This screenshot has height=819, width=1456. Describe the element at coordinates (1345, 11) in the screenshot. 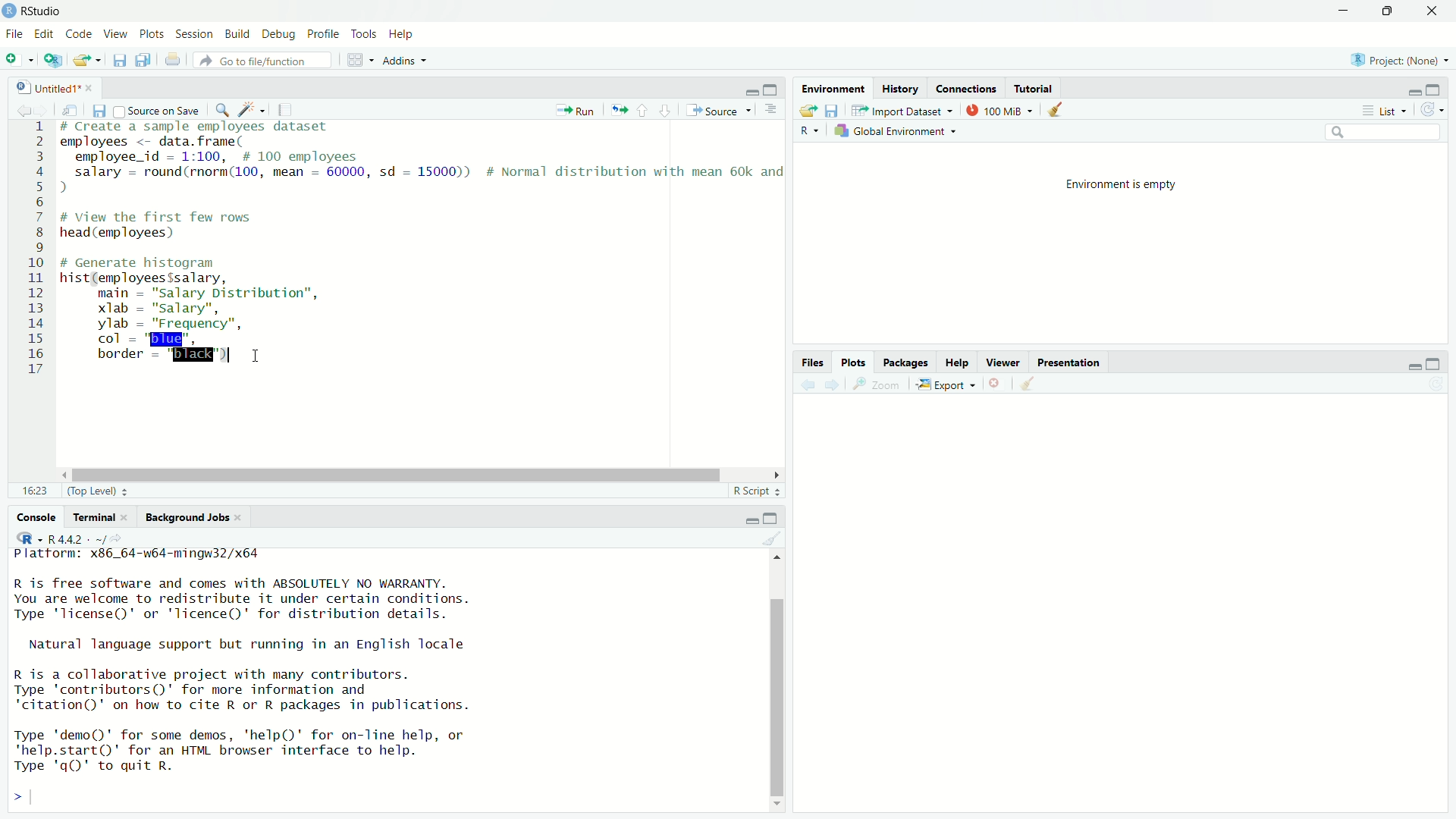

I see `Minimise ` at that location.